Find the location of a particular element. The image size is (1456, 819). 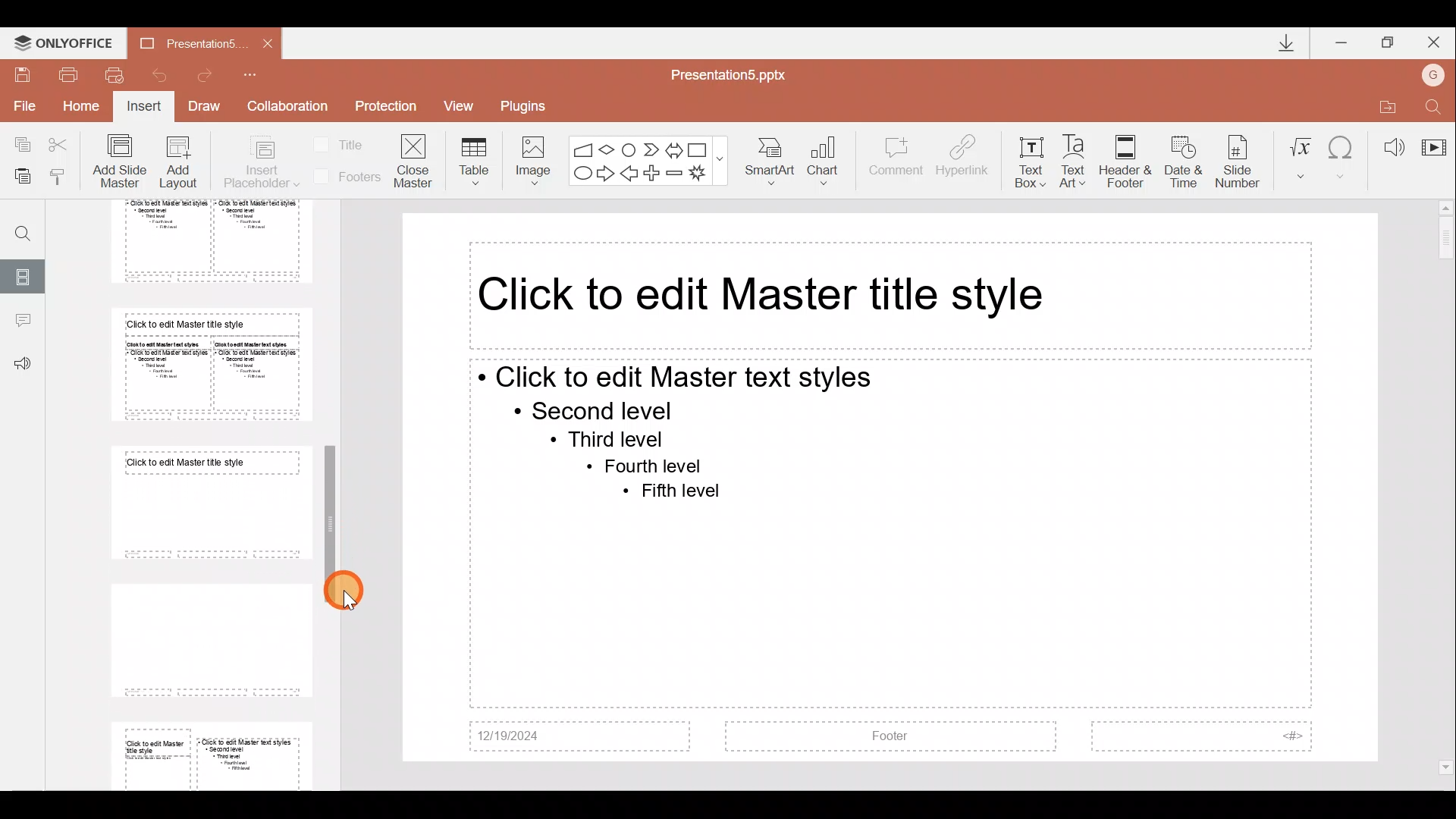

Presentation slide is located at coordinates (892, 488).